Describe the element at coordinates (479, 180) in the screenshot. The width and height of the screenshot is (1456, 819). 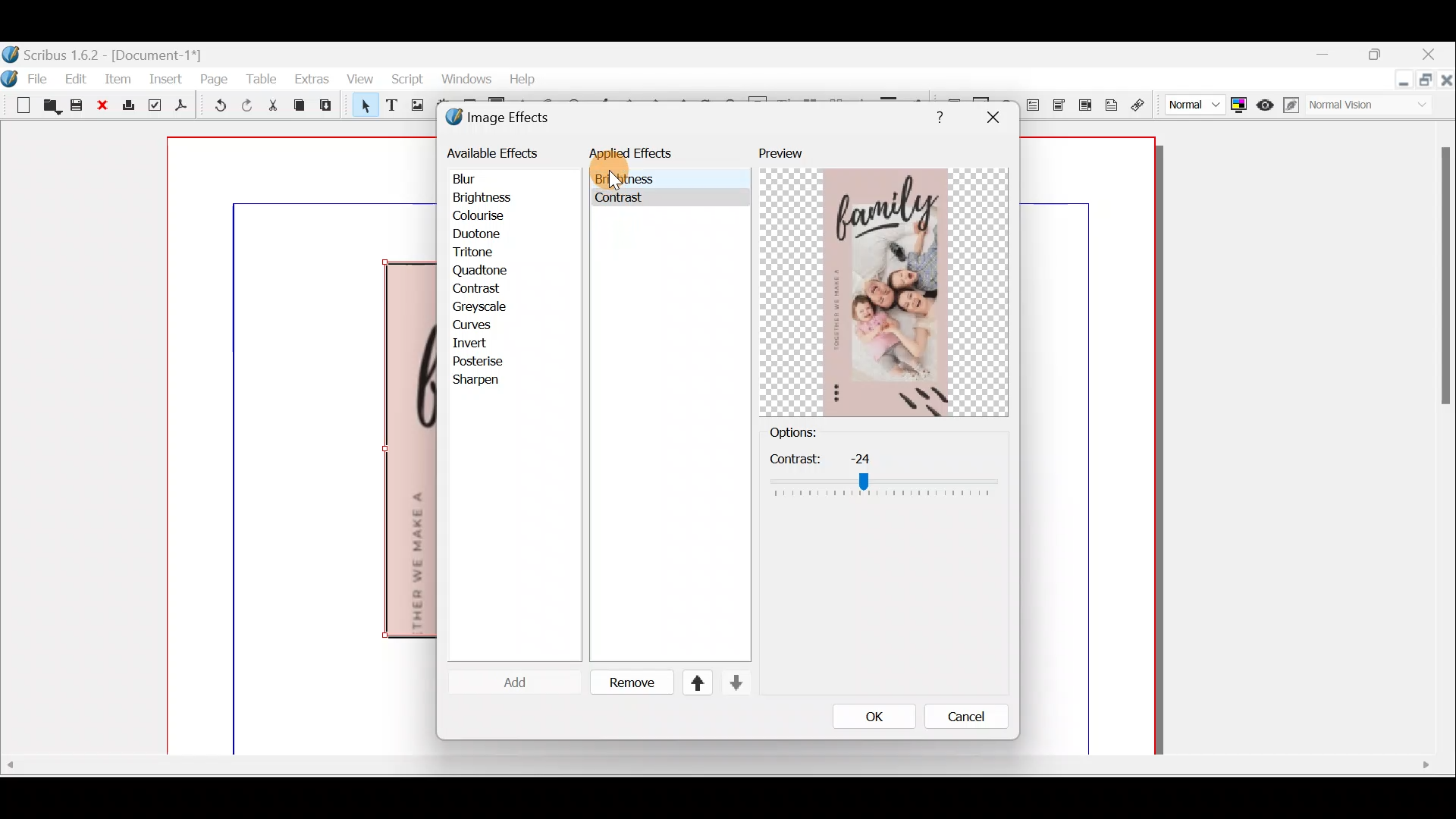
I see `Blur` at that location.